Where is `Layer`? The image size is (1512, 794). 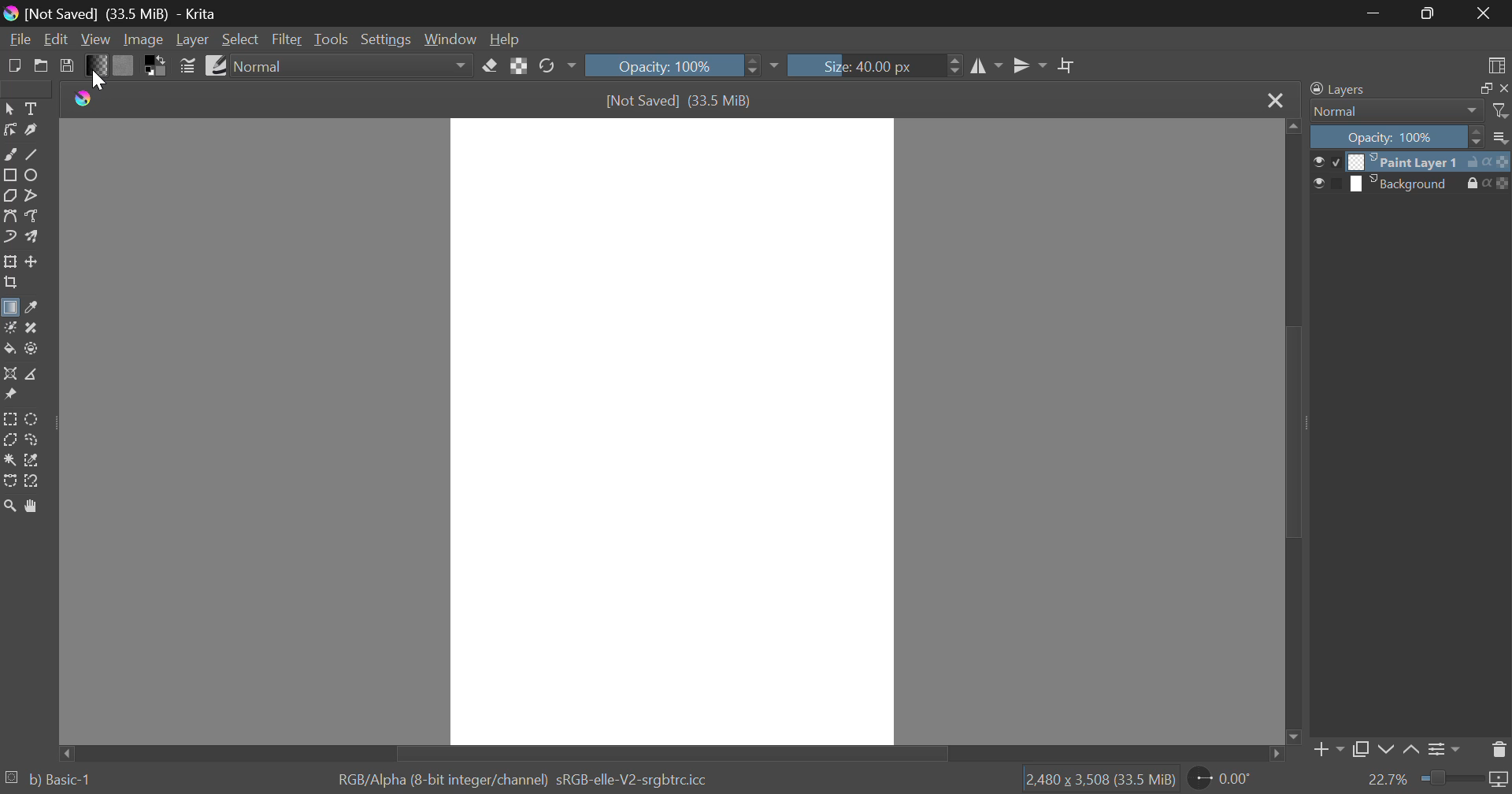
Layer is located at coordinates (192, 39).